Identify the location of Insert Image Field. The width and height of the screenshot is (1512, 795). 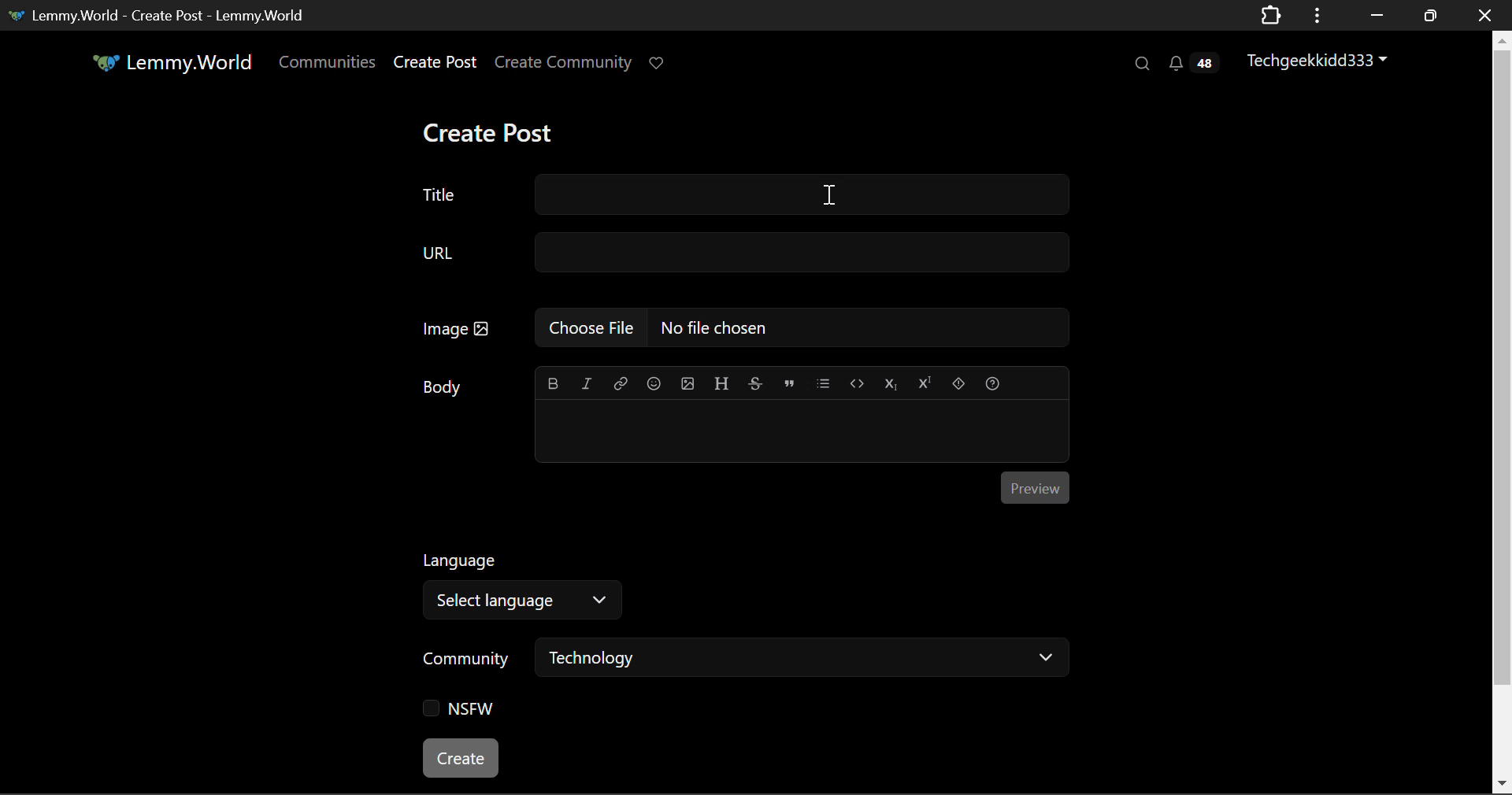
(745, 327).